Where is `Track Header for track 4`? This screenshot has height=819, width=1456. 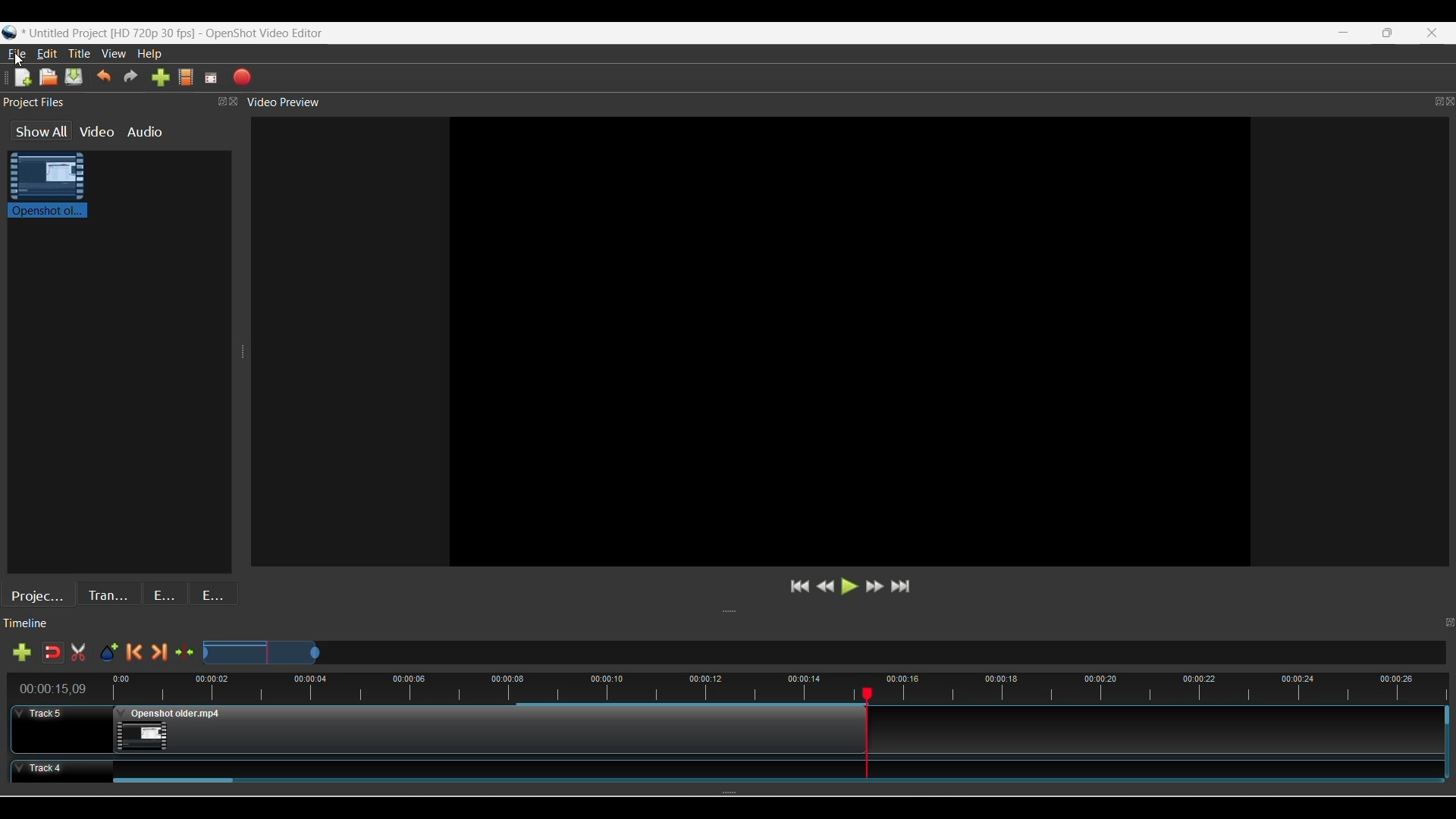
Track Header for track 4 is located at coordinates (55, 771).